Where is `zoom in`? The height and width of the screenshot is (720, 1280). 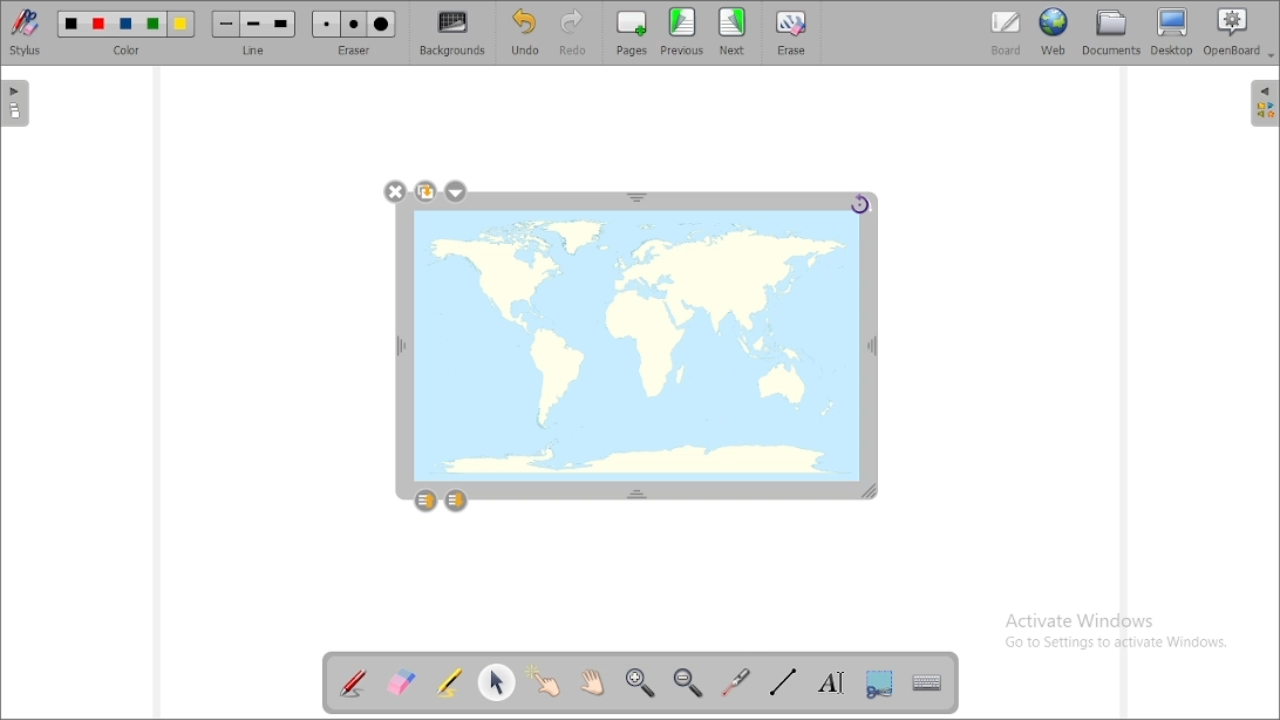
zoom in is located at coordinates (640, 681).